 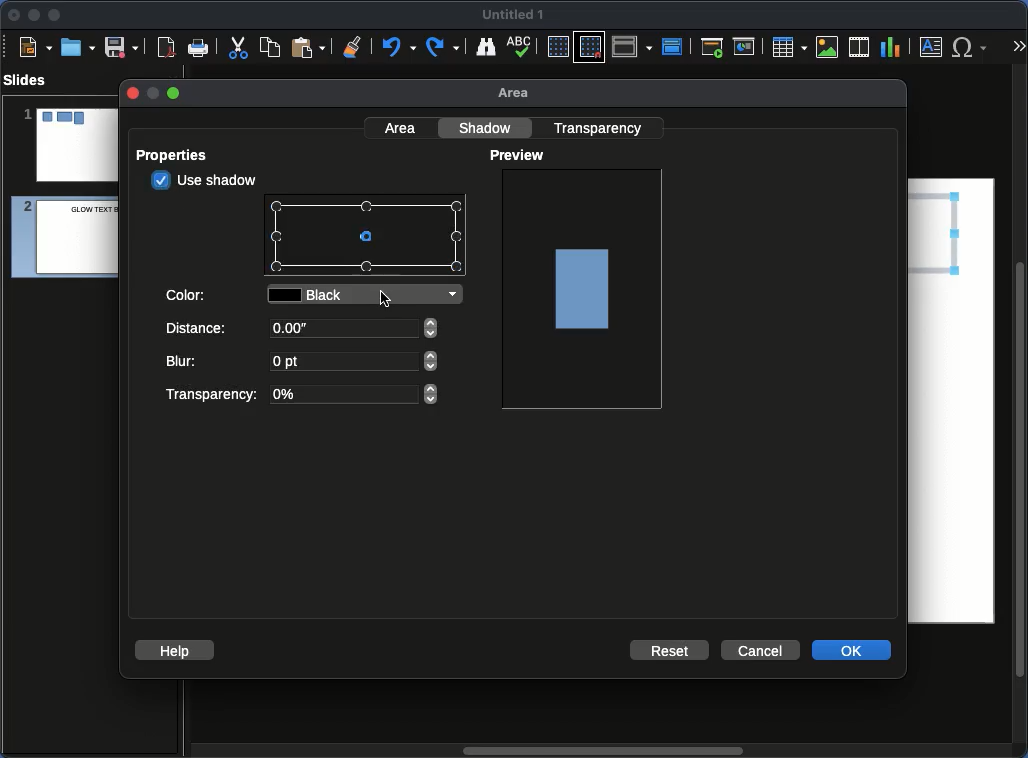 I want to click on Close, so click(x=15, y=15).